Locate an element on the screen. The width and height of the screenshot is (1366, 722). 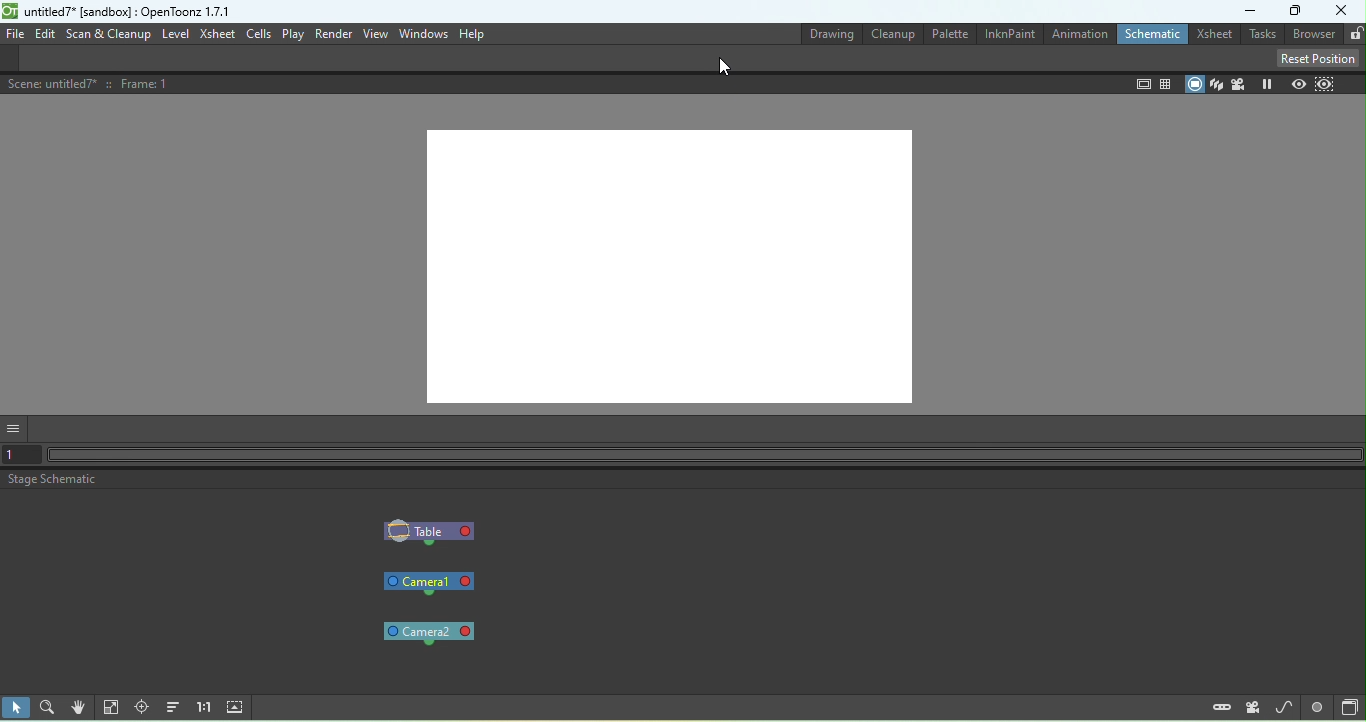
Cells is located at coordinates (258, 35).